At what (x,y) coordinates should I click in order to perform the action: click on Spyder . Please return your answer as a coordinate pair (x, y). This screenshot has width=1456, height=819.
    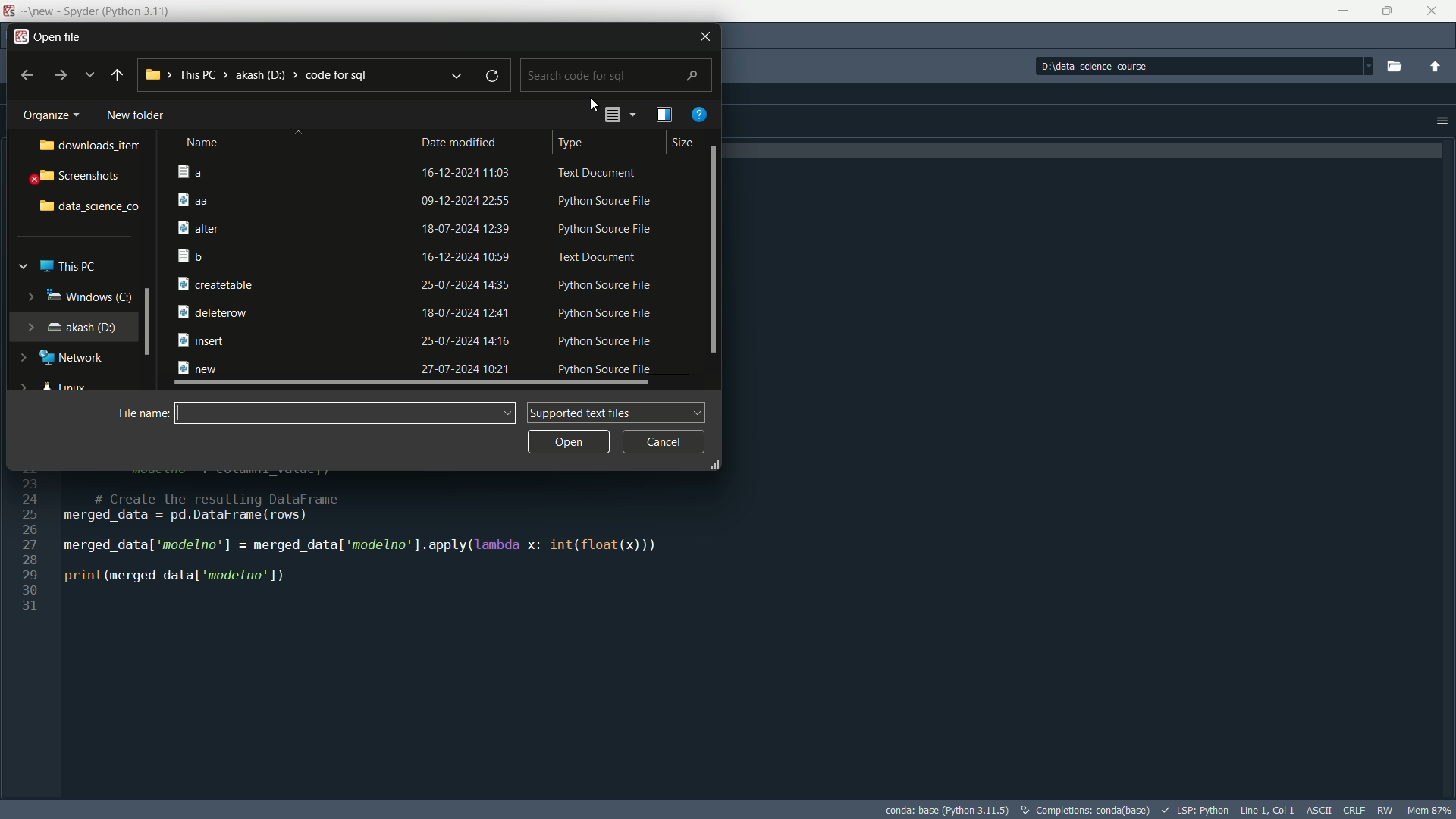
    Looking at the image, I should click on (109, 9).